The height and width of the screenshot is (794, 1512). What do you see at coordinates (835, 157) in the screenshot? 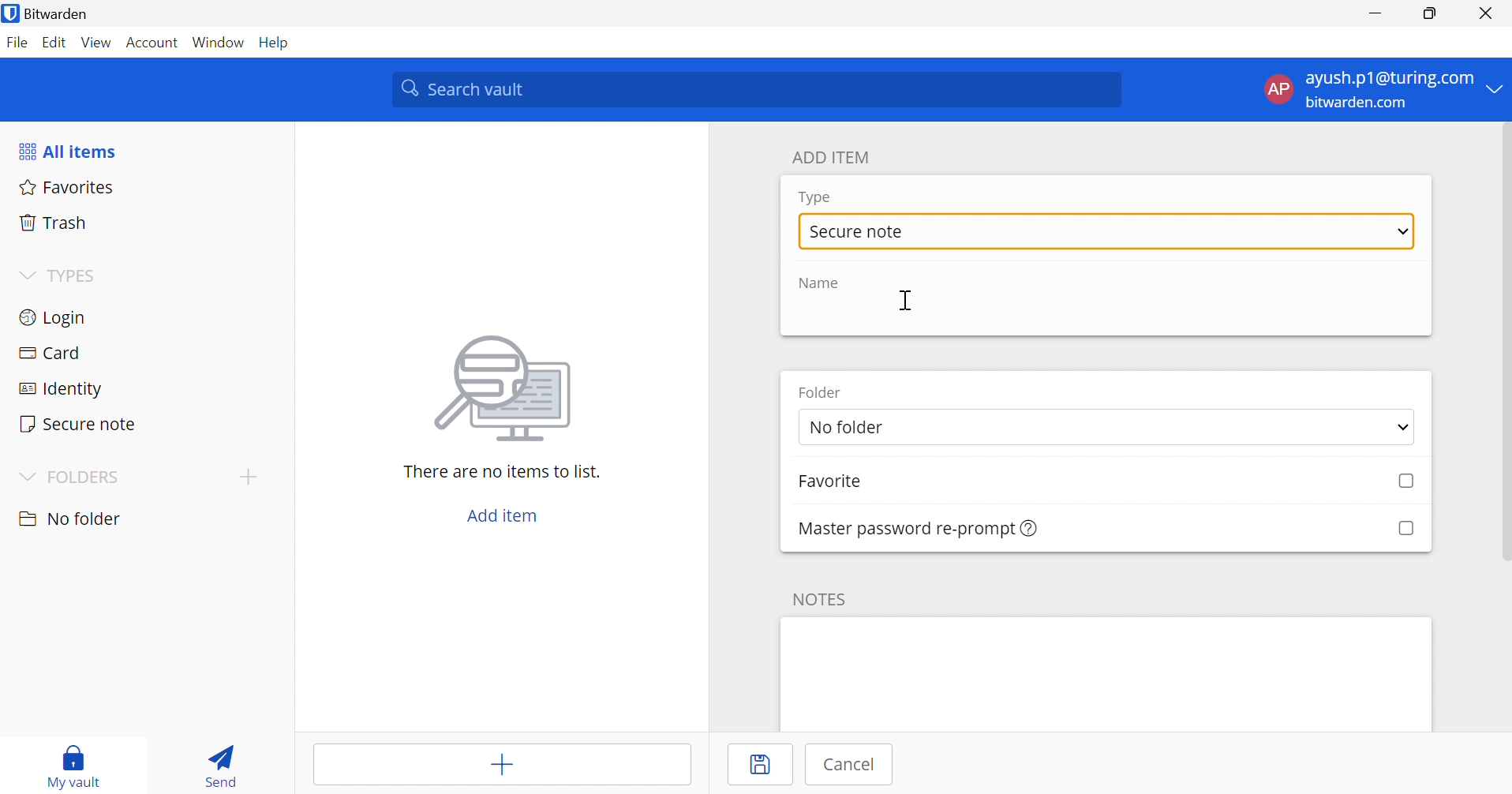
I see `ADDITEM` at bounding box center [835, 157].